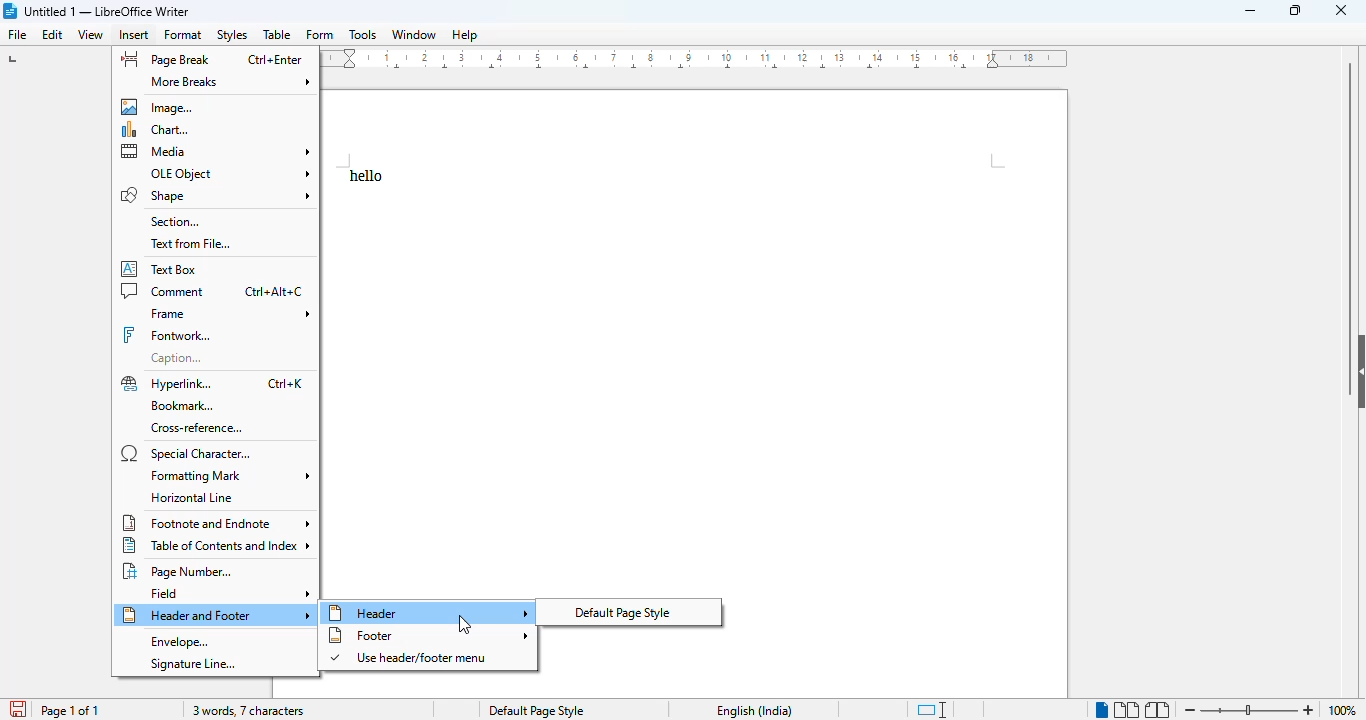 This screenshot has height=720, width=1366. What do you see at coordinates (428, 613) in the screenshot?
I see `header` at bounding box center [428, 613].